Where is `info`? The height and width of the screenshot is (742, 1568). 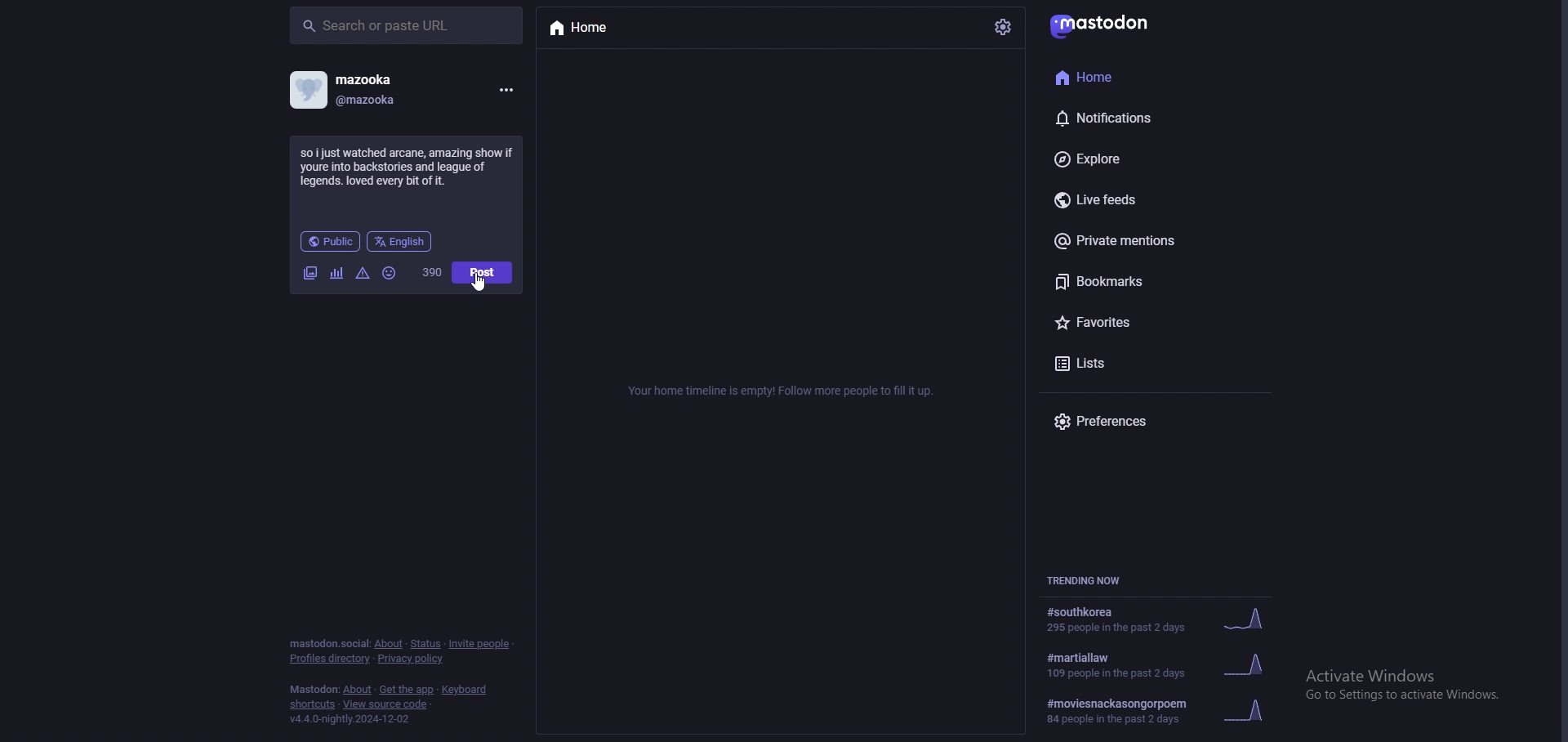 info is located at coordinates (779, 389).